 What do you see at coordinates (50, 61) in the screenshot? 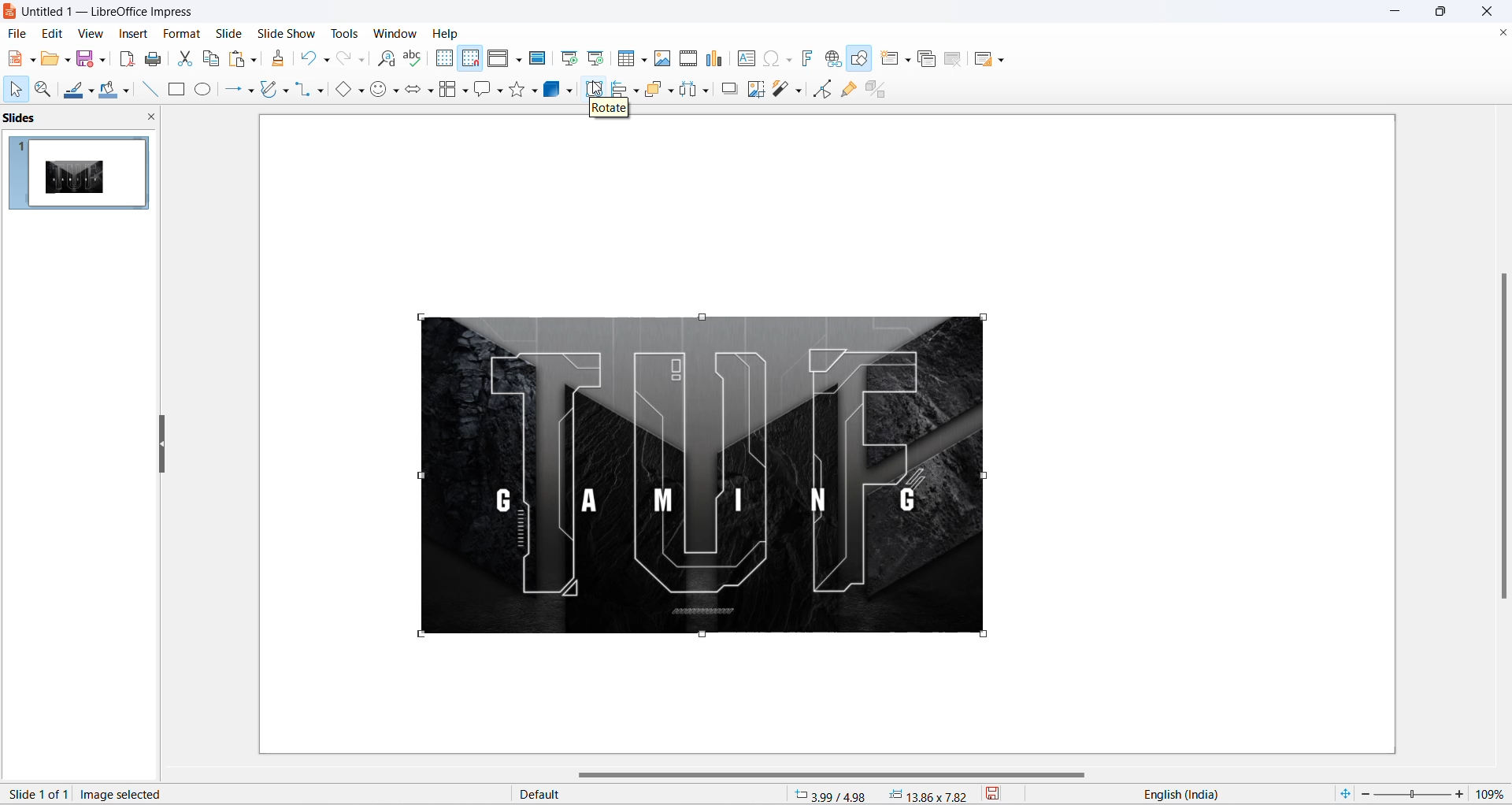
I see `open file` at bounding box center [50, 61].